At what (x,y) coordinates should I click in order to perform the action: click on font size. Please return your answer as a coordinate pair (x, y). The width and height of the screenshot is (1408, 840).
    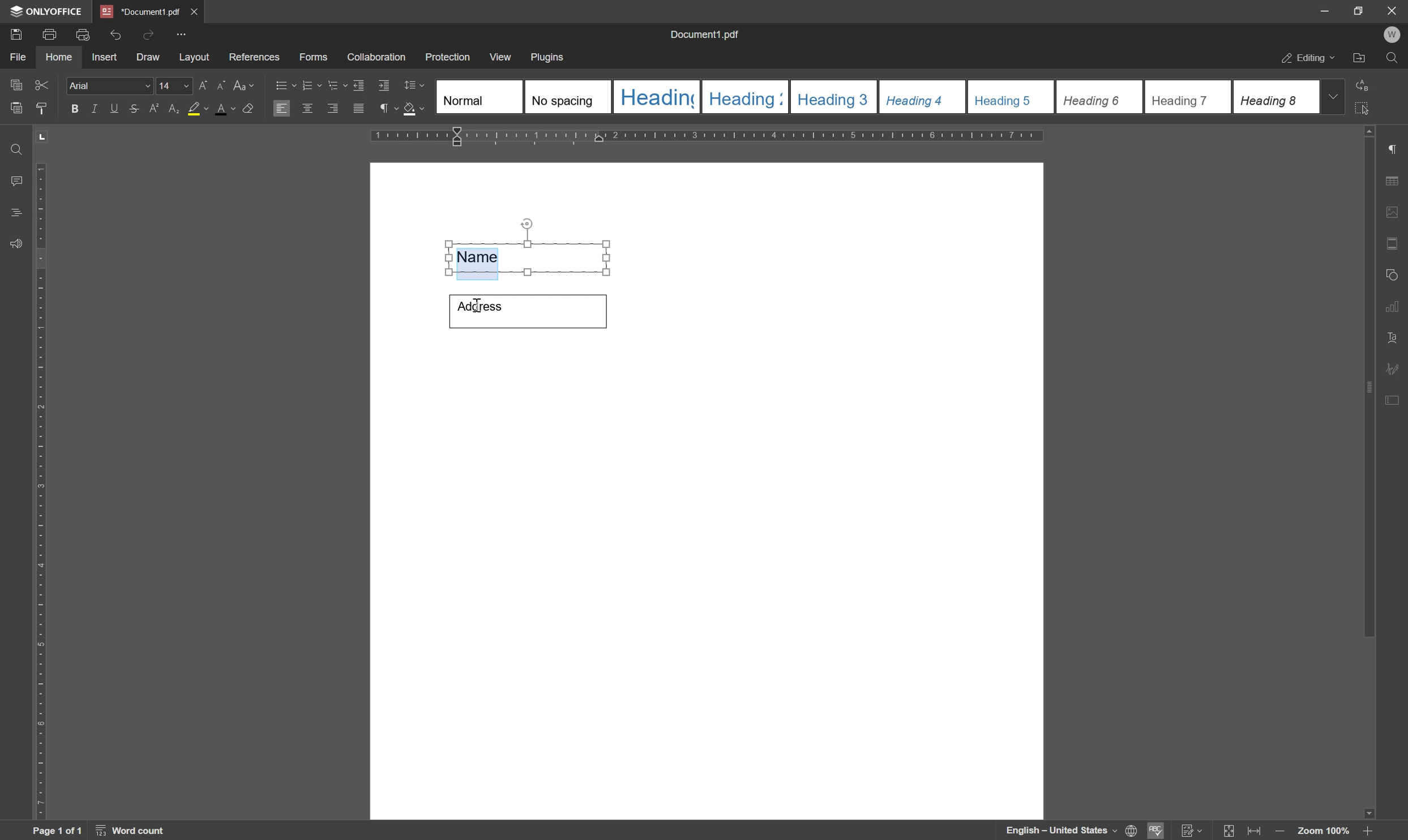
    Looking at the image, I should click on (228, 109).